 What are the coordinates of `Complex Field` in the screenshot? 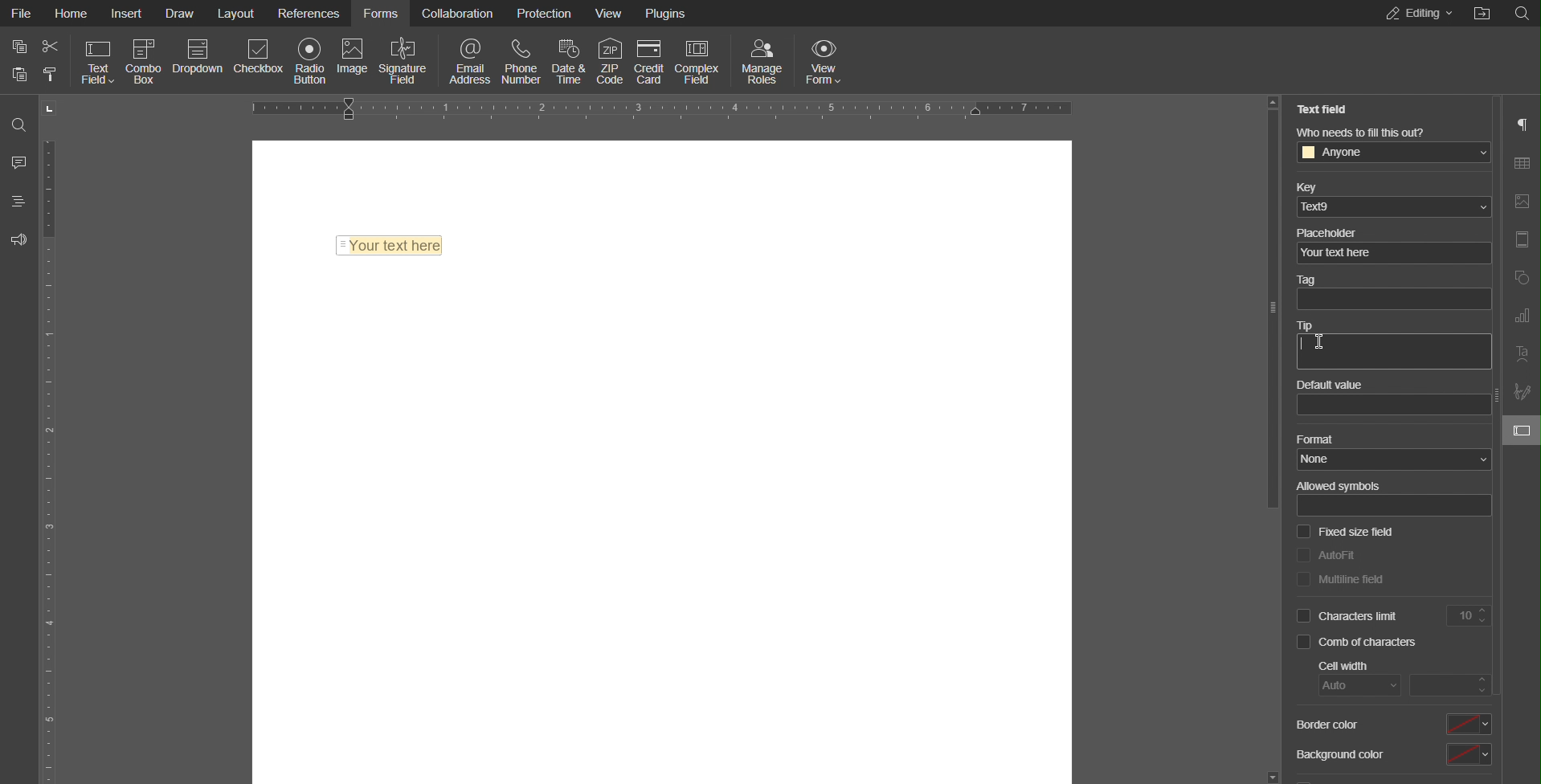 It's located at (701, 60).